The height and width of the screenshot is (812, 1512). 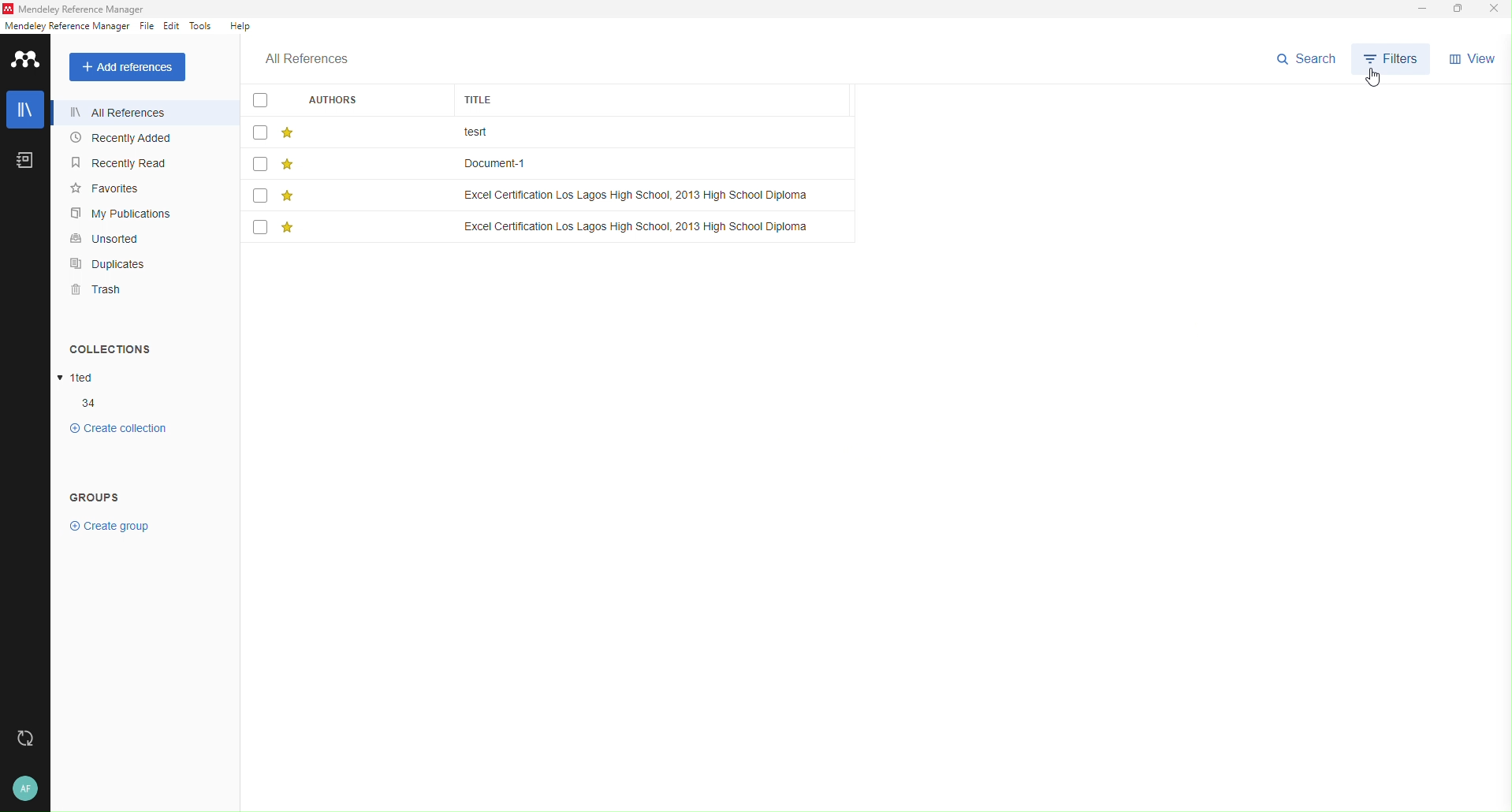 I want to click on Favorites, so click(x=121, y=189).